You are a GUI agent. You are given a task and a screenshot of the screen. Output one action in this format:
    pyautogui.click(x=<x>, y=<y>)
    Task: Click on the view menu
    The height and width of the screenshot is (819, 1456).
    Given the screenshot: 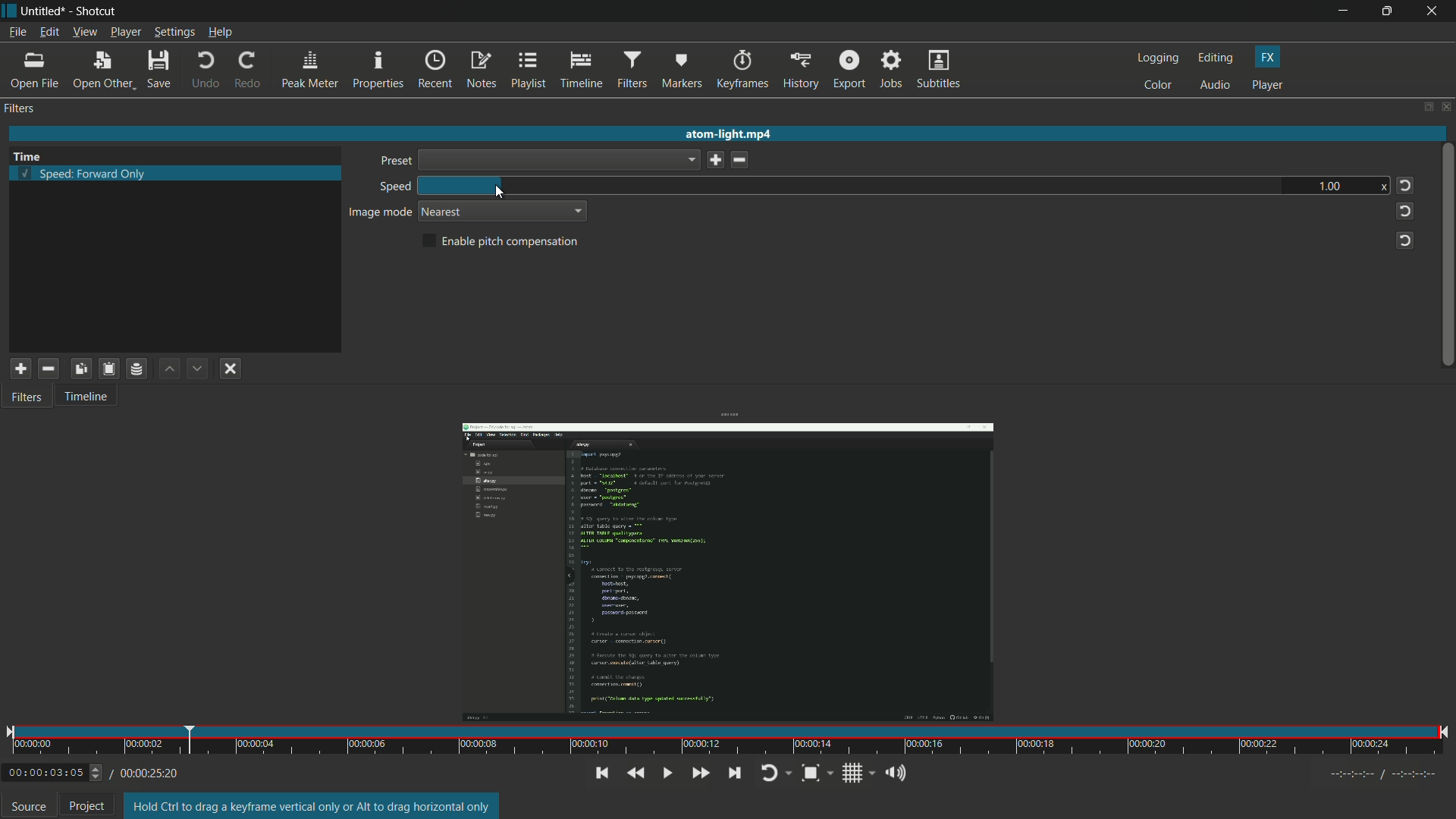 What is the action you would take?
    pyautogui.click(x=83, y=32)
    